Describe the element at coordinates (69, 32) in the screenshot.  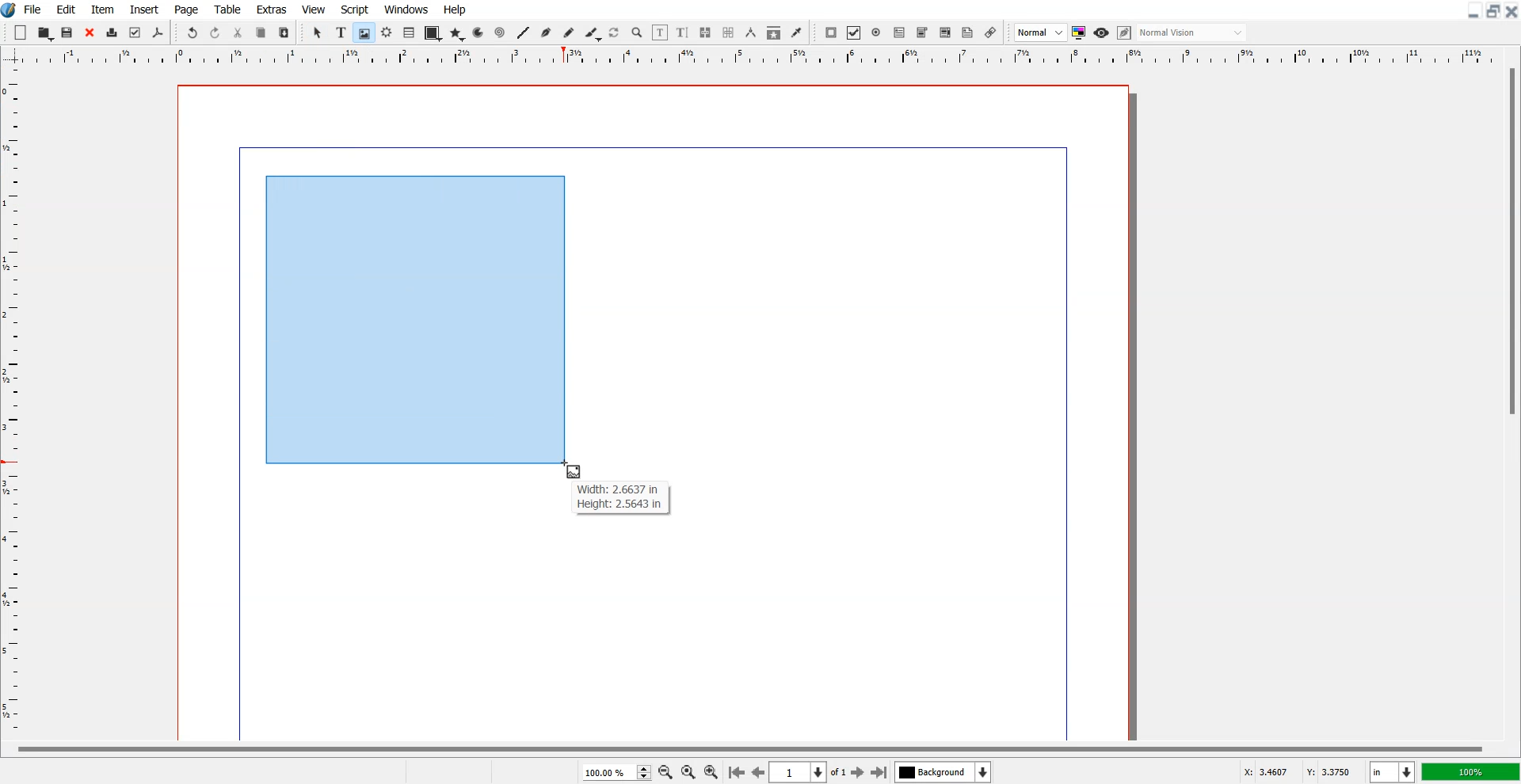
I see `Open` at that location.